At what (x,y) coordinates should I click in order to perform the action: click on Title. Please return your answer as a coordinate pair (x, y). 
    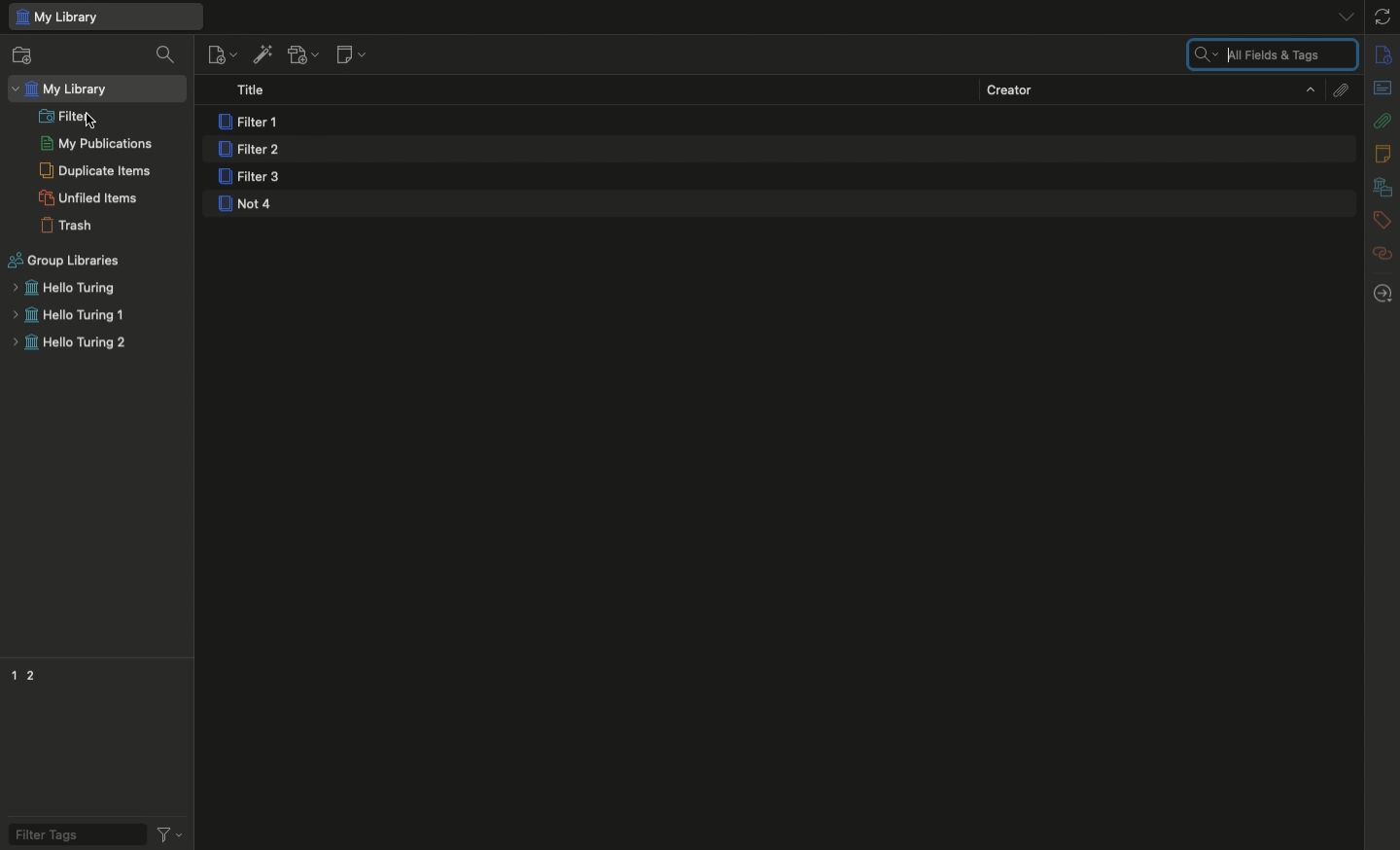
    Looking at the image, I should click on (257, 91).